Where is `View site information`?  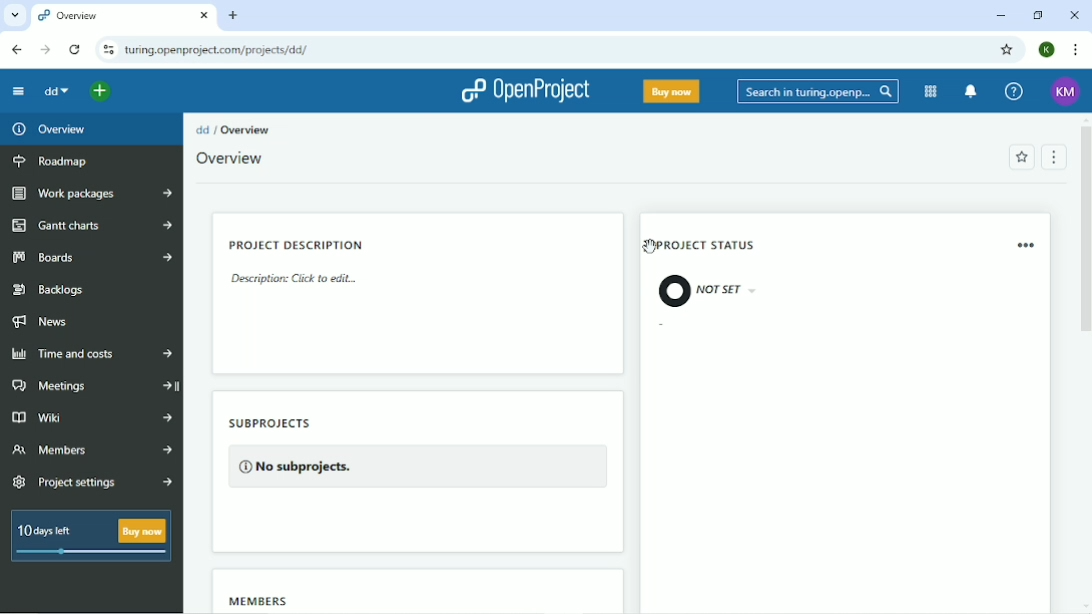 View site information is located at coordinates (107, 50).